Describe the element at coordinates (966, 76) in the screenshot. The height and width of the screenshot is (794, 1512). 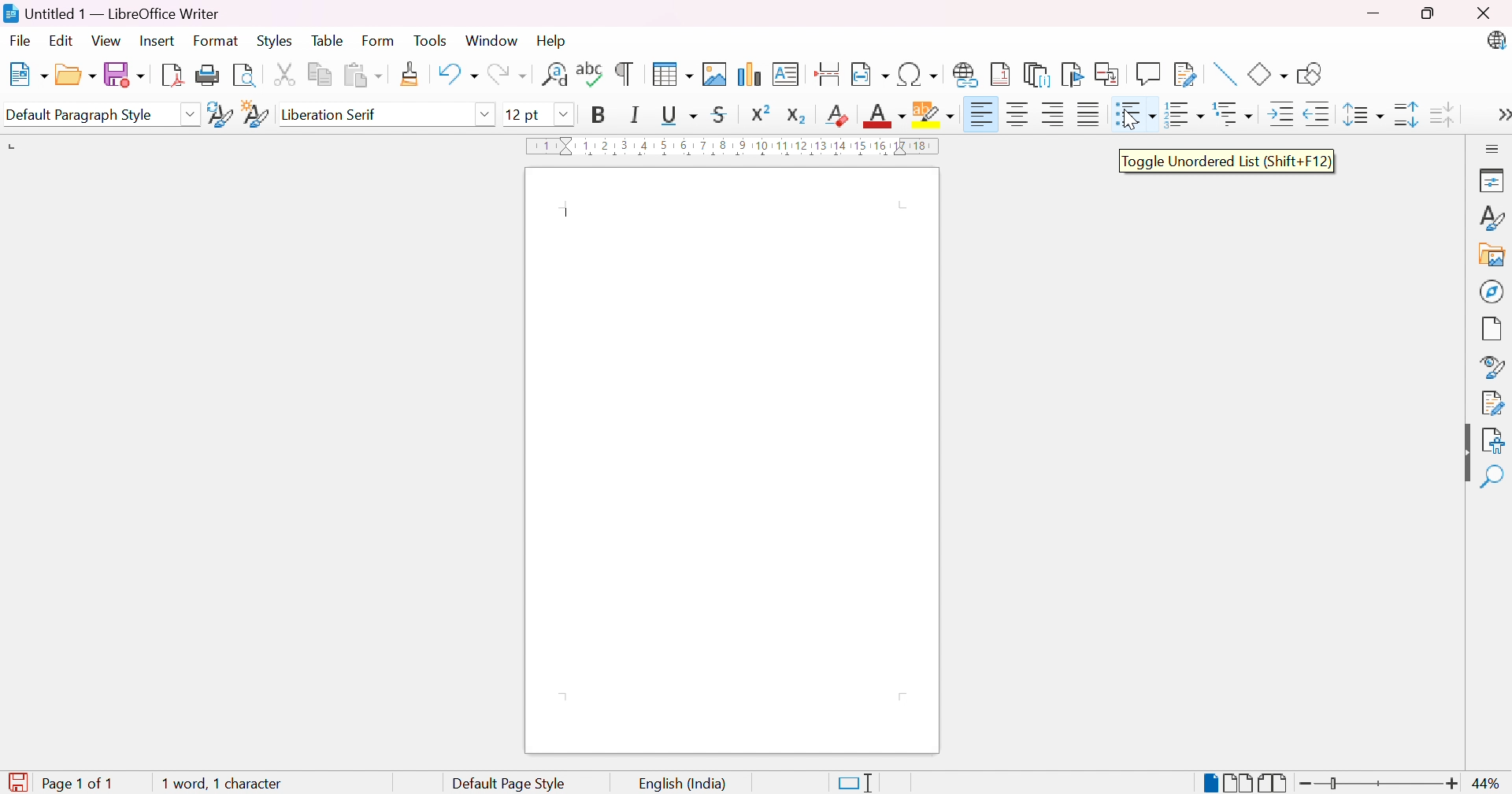
I see `Insert hyperlink` at that location.